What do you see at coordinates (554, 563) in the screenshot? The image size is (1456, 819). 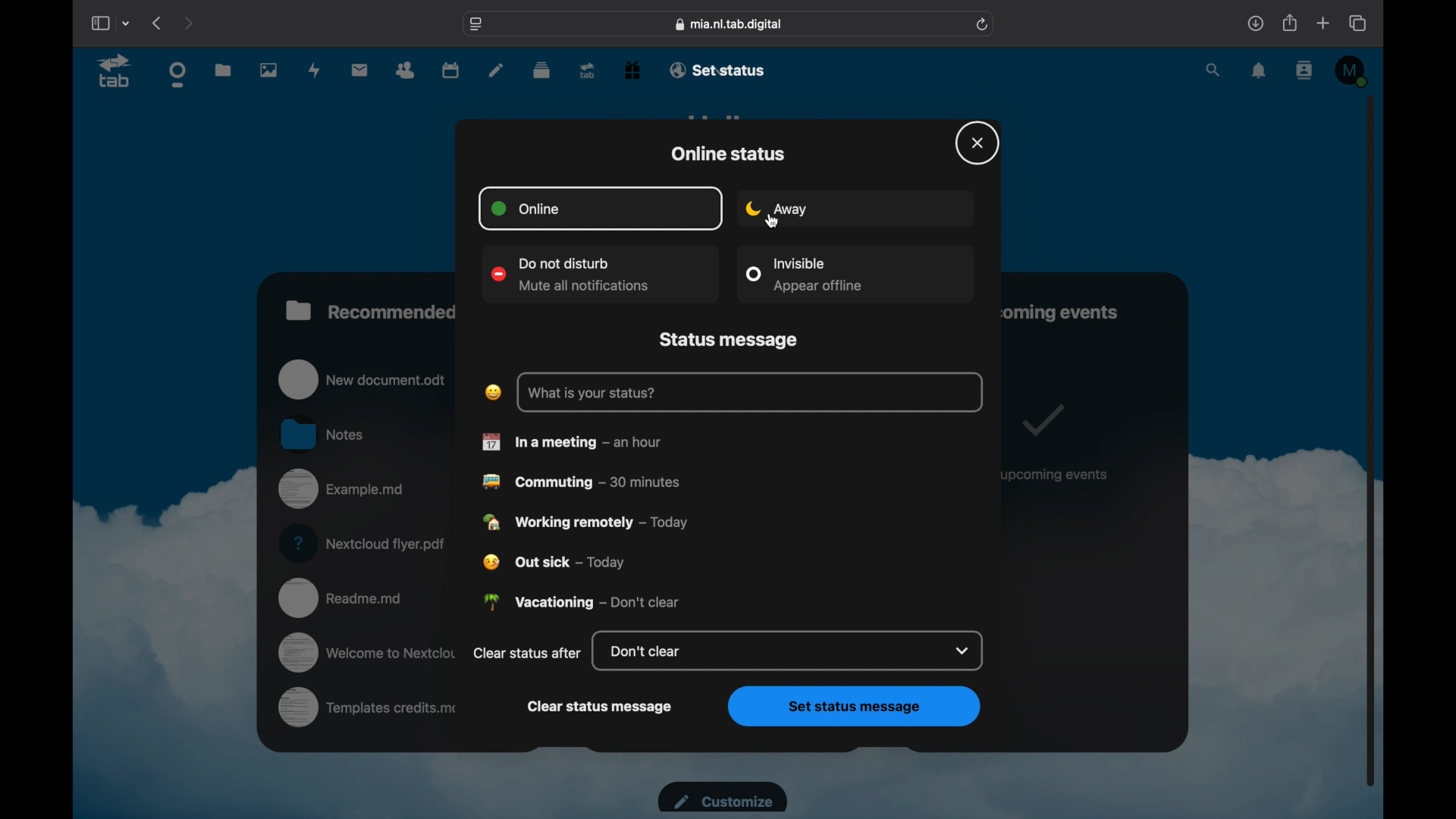 I see `out sick` at bounding box center [554, 563].